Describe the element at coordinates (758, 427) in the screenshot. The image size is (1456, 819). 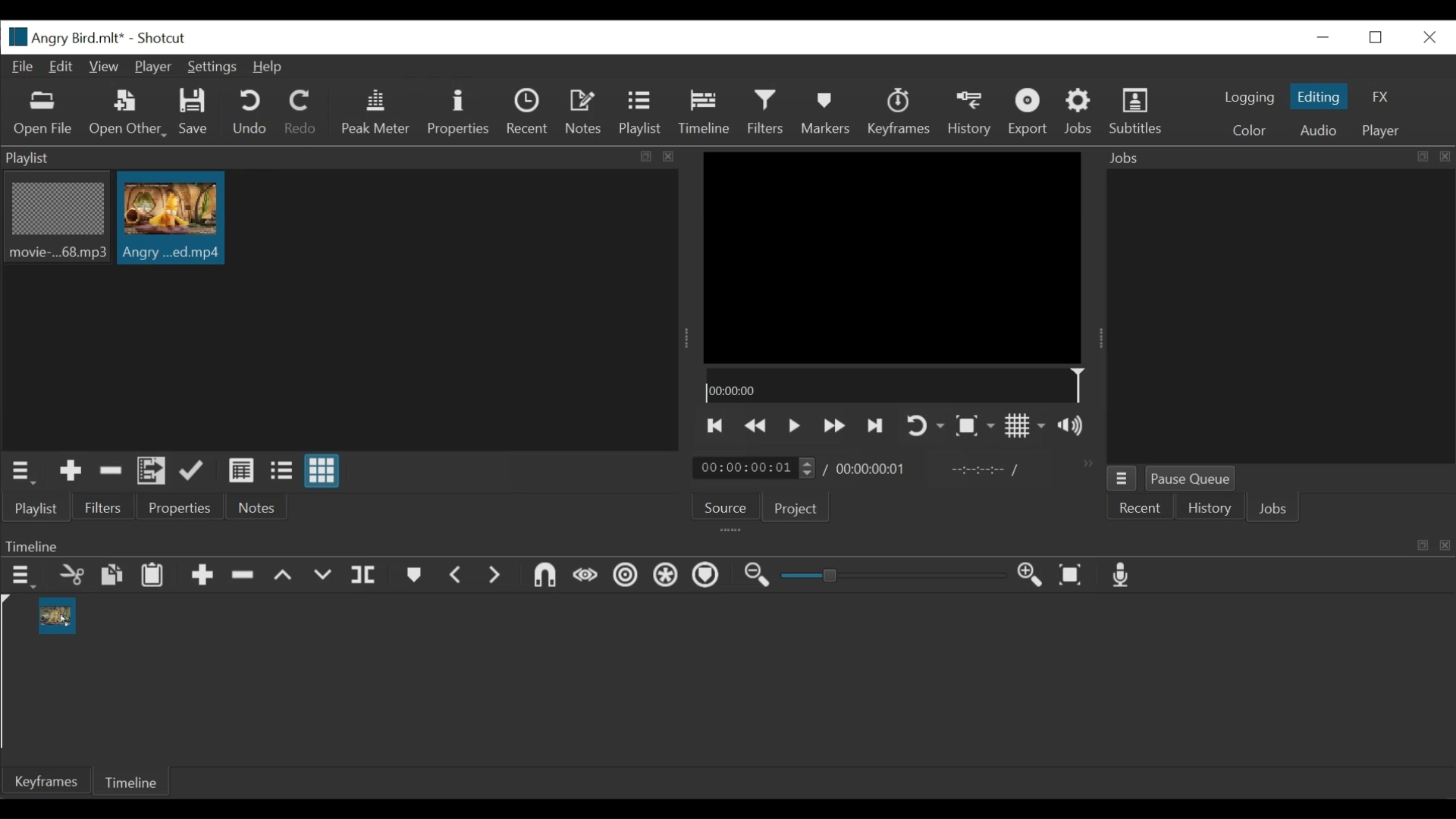
I see `Play quickly backward` at that location.